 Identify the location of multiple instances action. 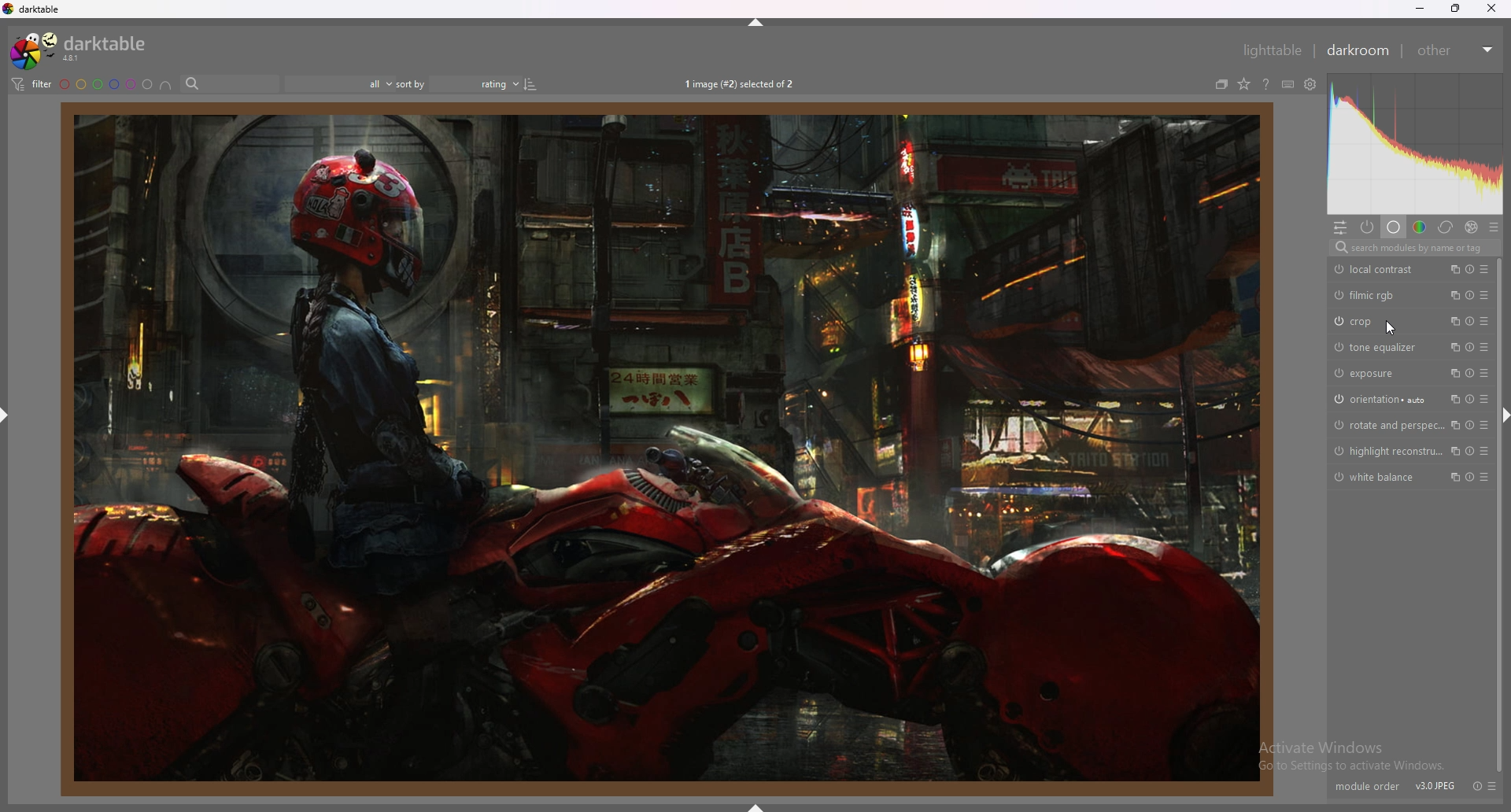
(1453, 451).